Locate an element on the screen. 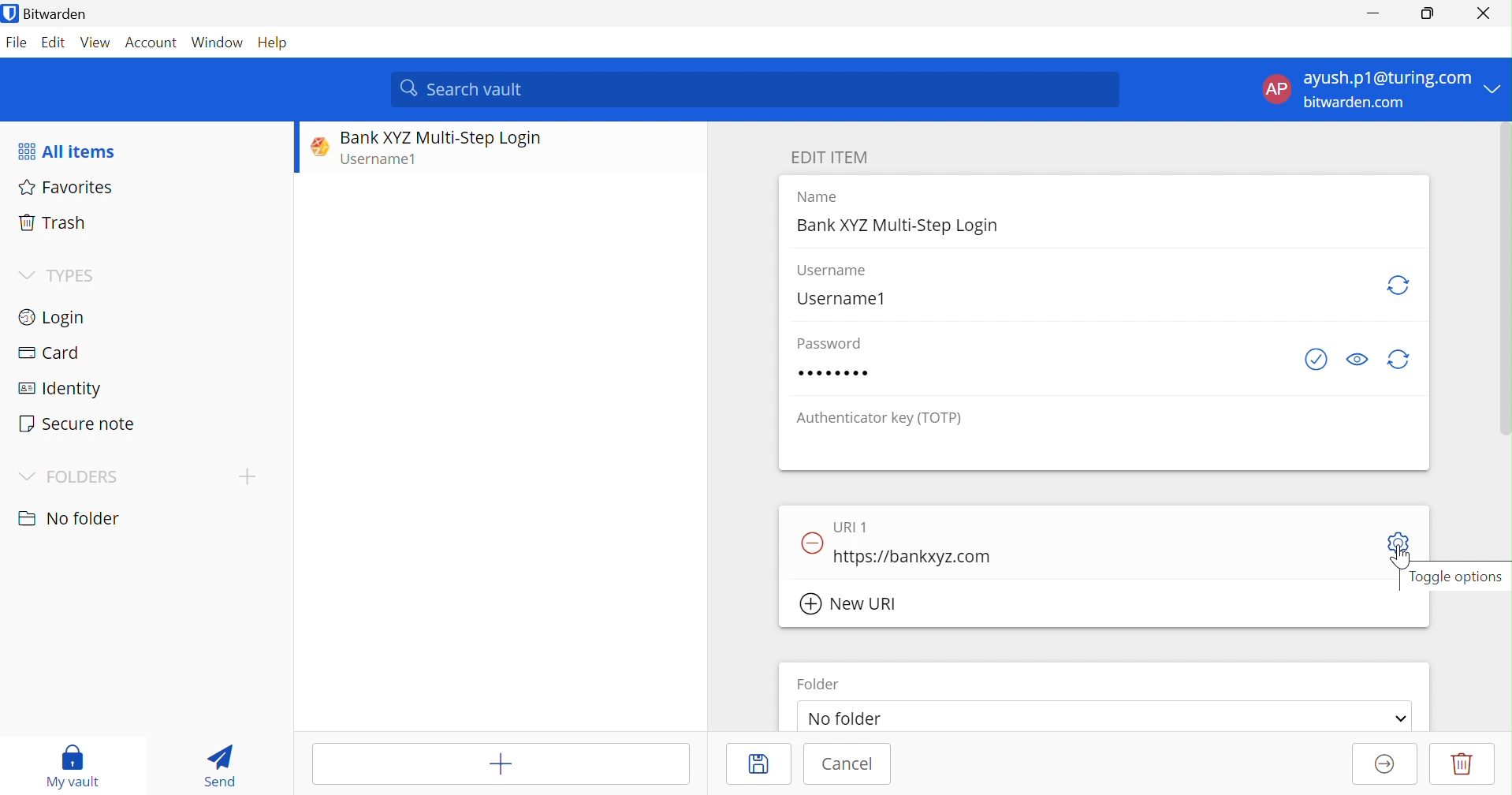 This screenshot has height=795, width=1512. Drop Down is located at coordinates (1399, 719).